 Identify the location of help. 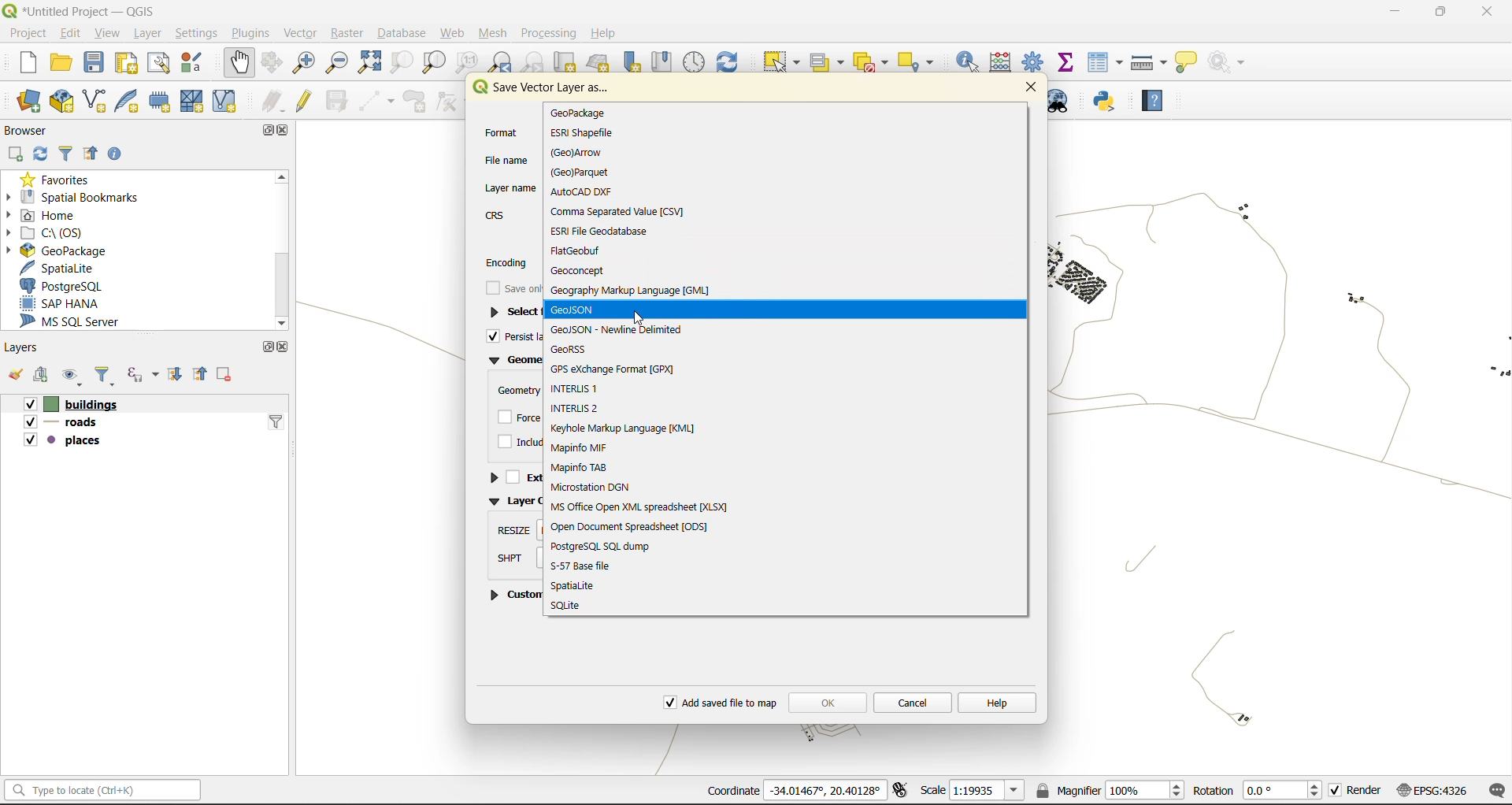
(1154, 101).